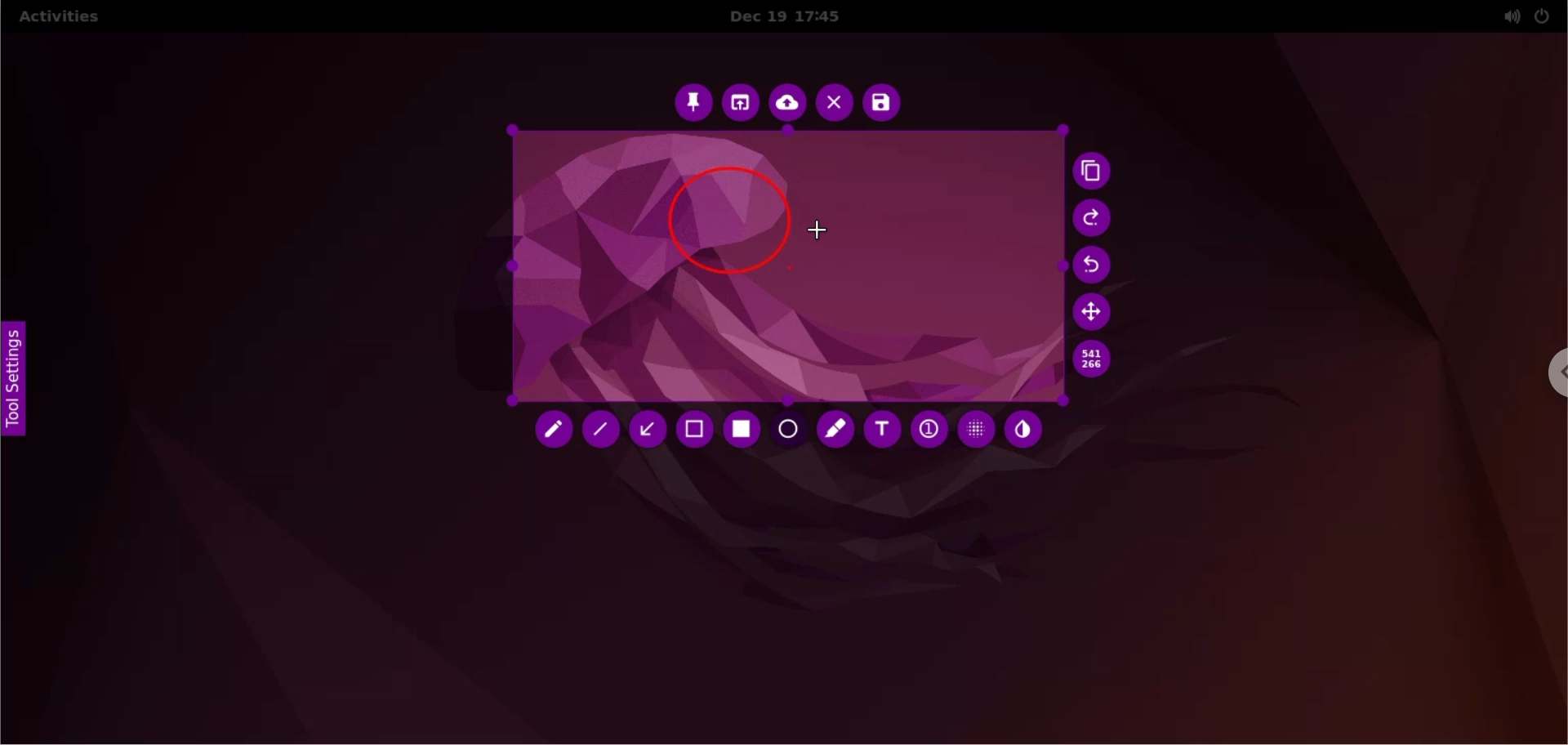  What do you see at coordinates (826, 228) in the screenshot?
I see `cursor` at bounding box center [826, 228].